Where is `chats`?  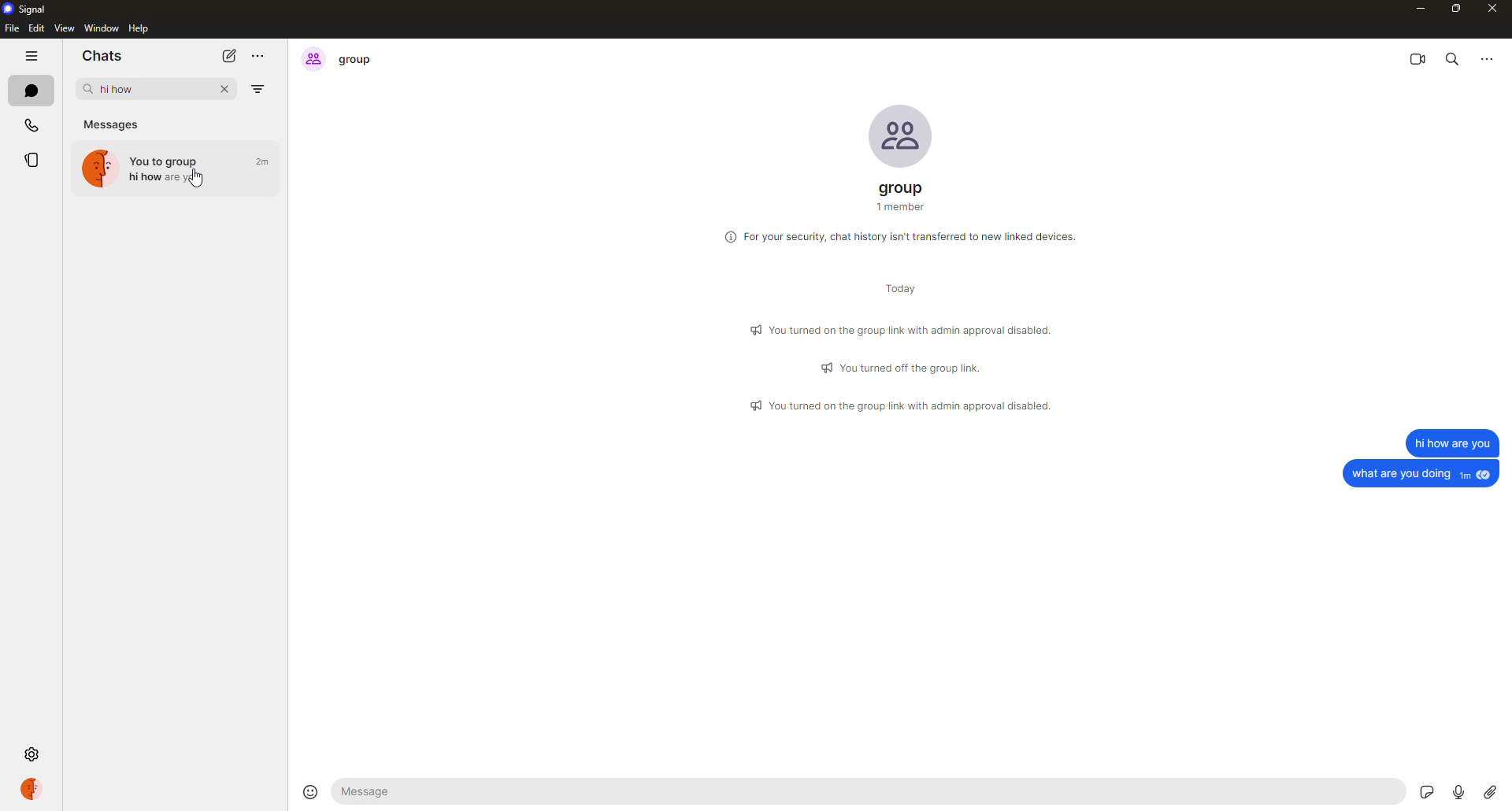
chats is located at coordinates (30, 89).